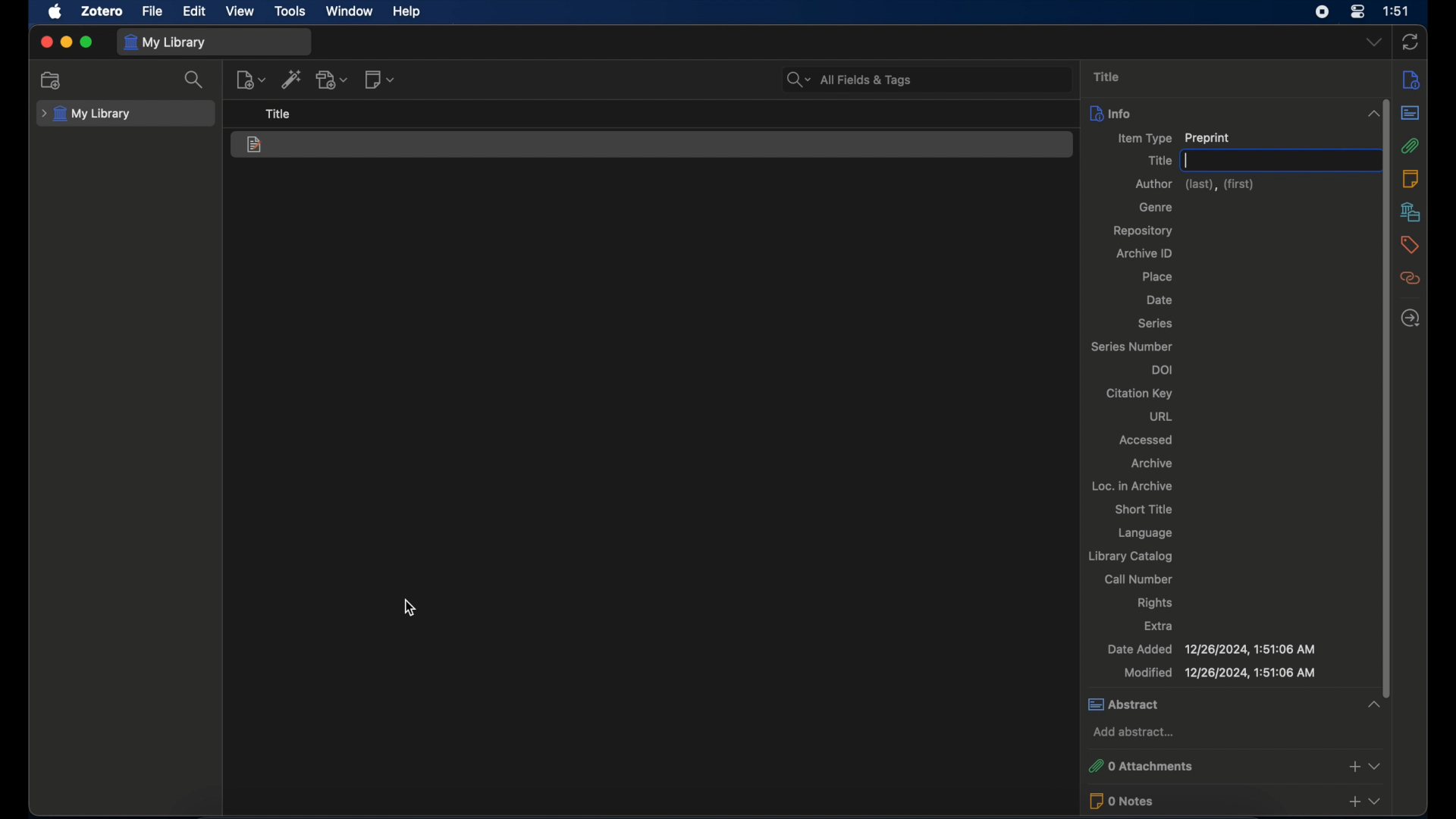 The height and width of the screenshot is (819, 1456). I want to click on date added 12/26/2024, 1:51:06 AM, so click(1211, 649).